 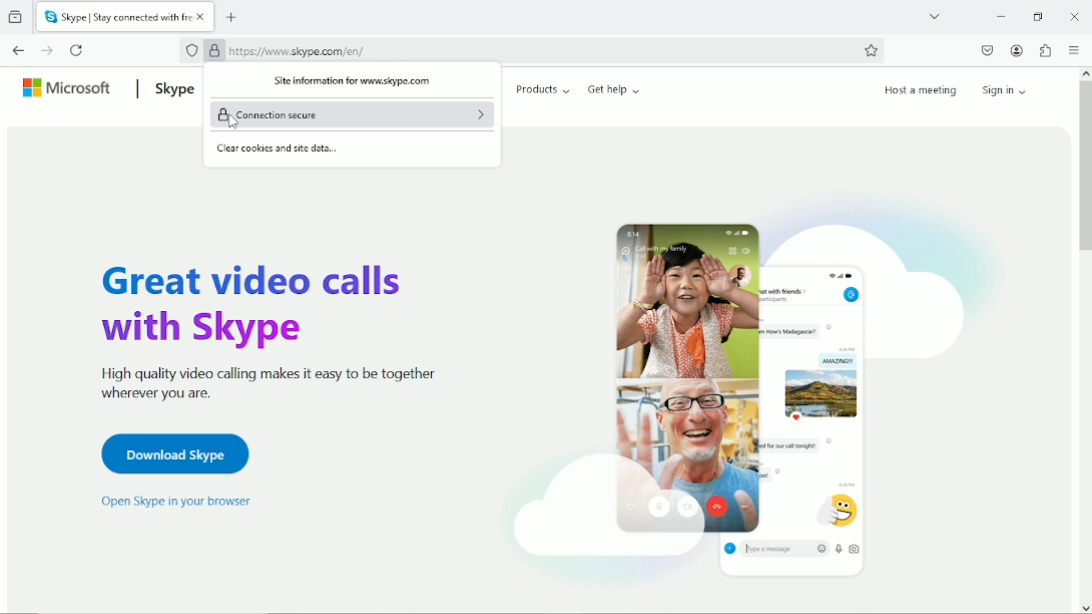 What do you see at coordinates (279, 150) in the screenshot?
I see `Clear cookies and site data` at bounding box center [279, 150].